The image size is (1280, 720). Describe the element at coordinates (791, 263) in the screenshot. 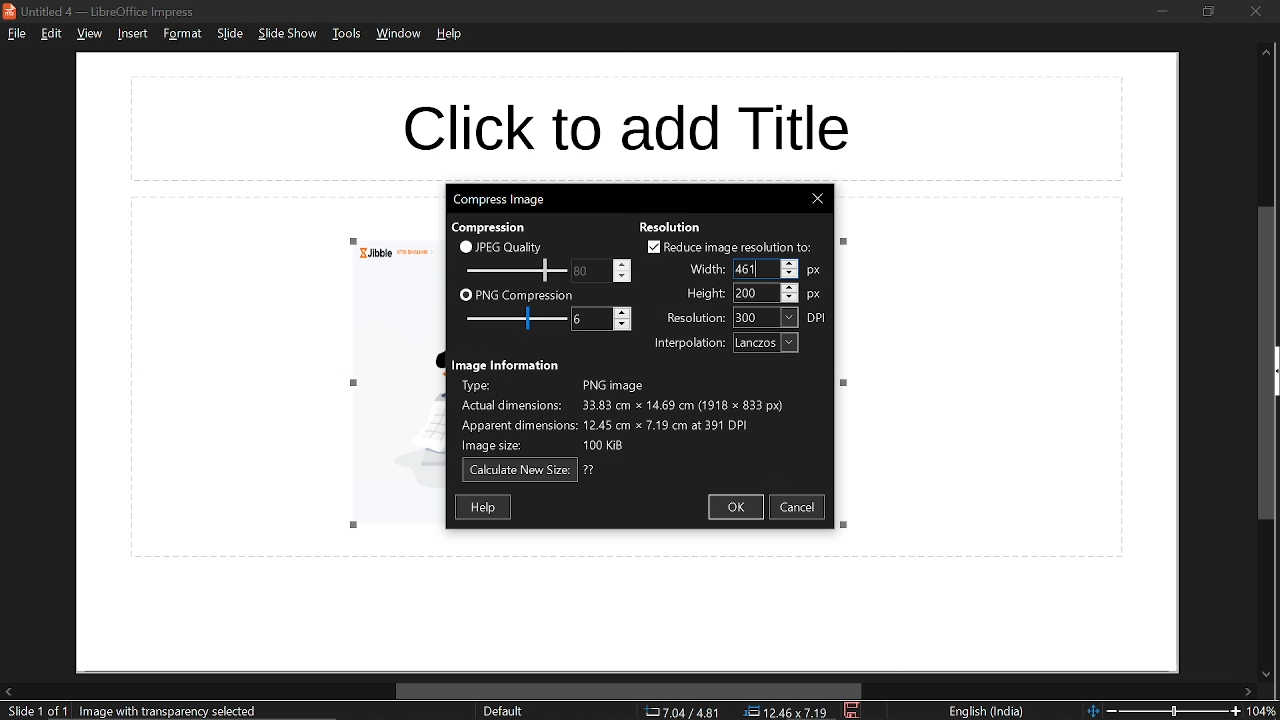

I see `Increase ` at that location.